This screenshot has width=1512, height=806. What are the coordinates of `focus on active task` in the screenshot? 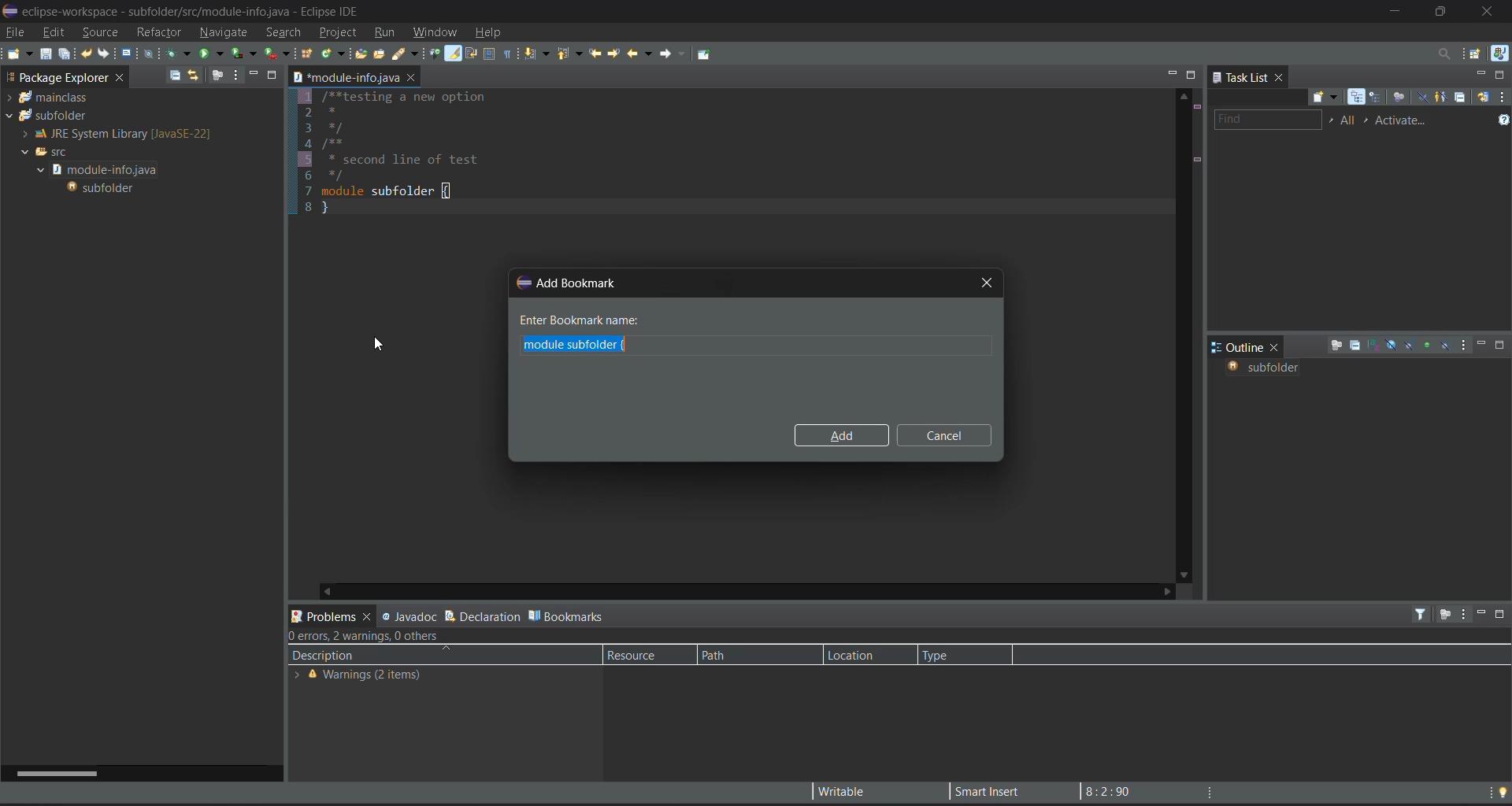 It's located at (1443, 616).